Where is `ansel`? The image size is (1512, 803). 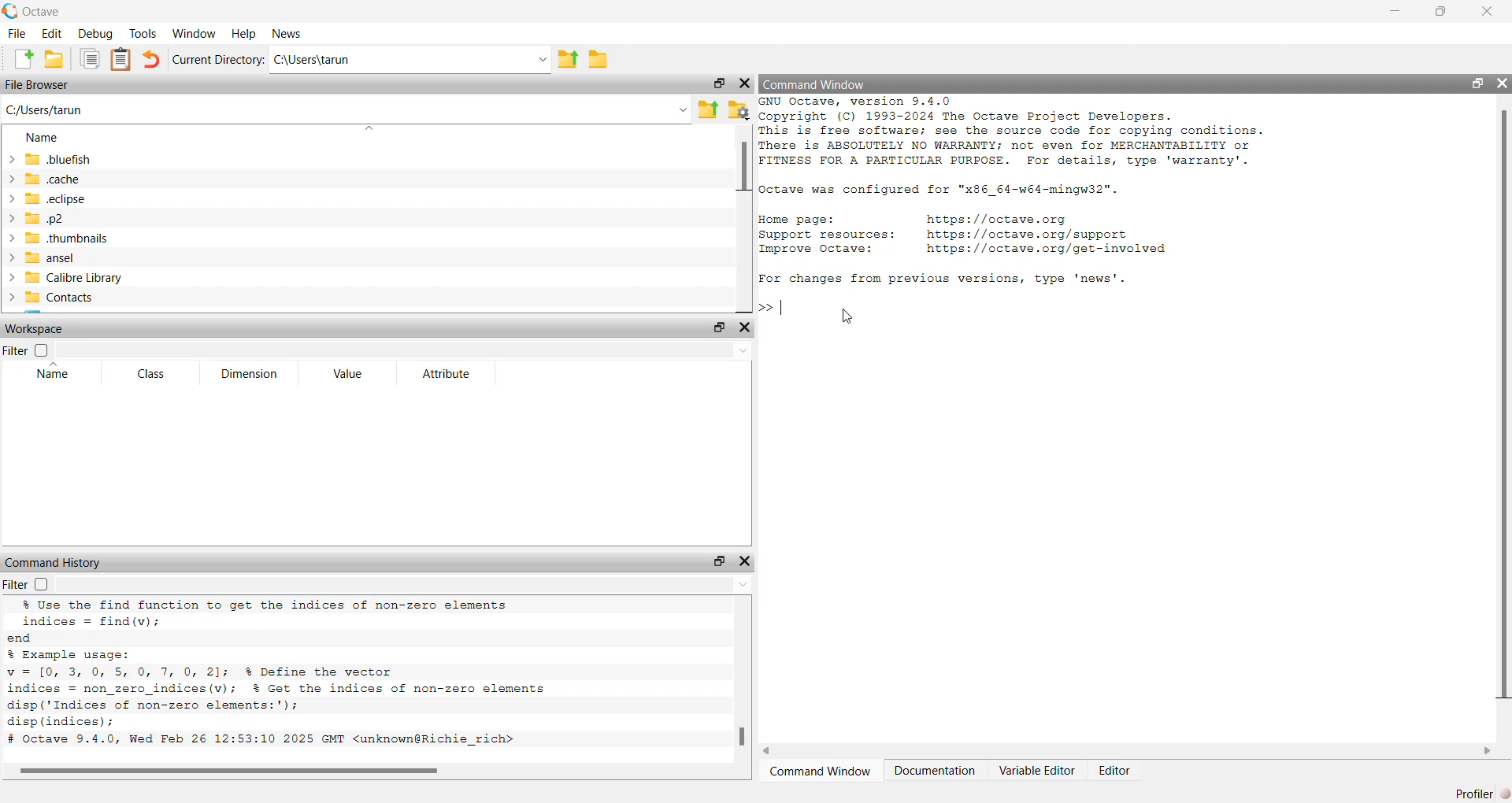
ansel is located at coordinates (46, 260).